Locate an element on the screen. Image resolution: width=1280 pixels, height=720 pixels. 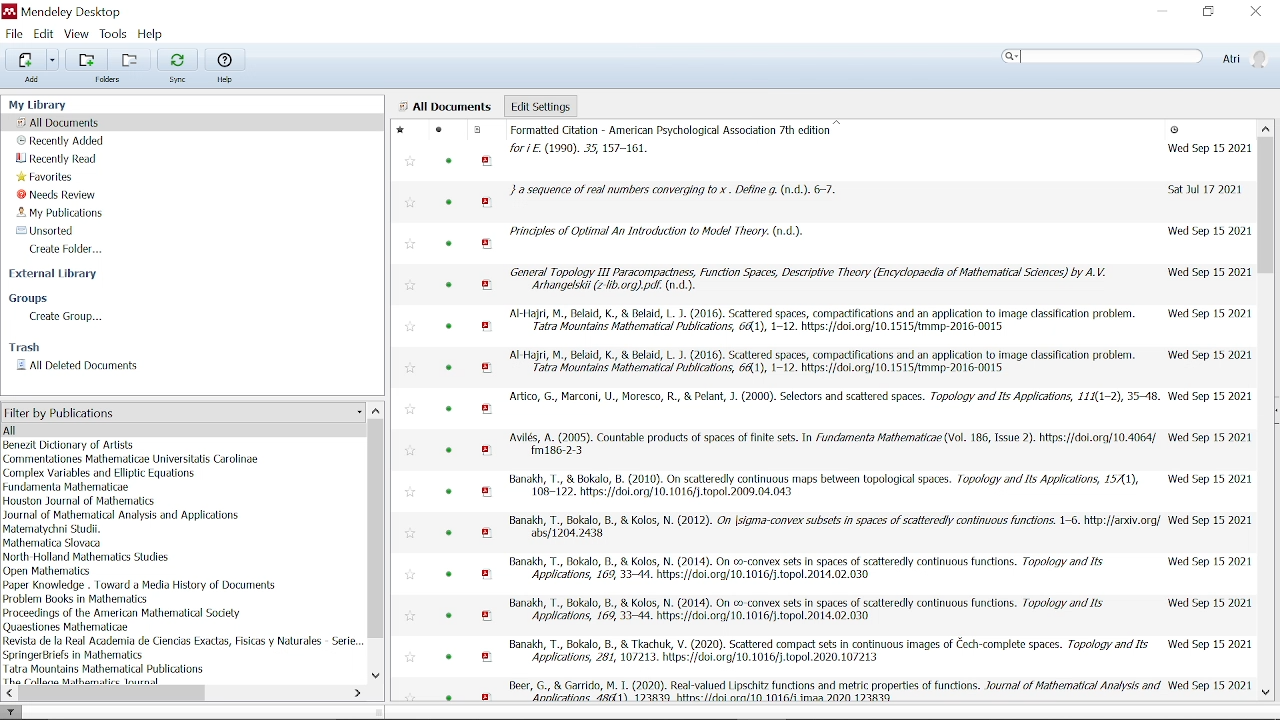
favourite is located at coordinates (411, 491).